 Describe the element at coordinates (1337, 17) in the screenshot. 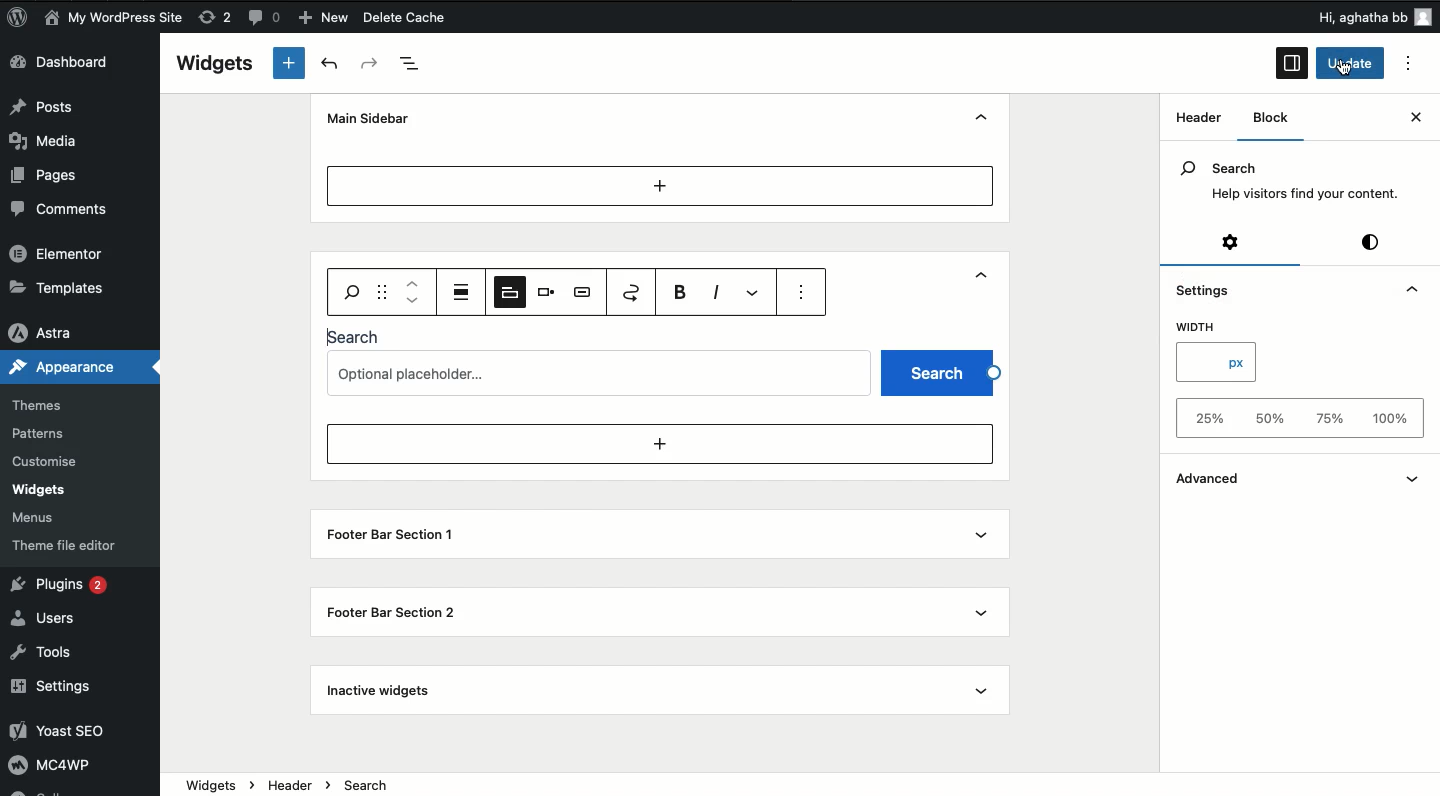

I see `` at that location.